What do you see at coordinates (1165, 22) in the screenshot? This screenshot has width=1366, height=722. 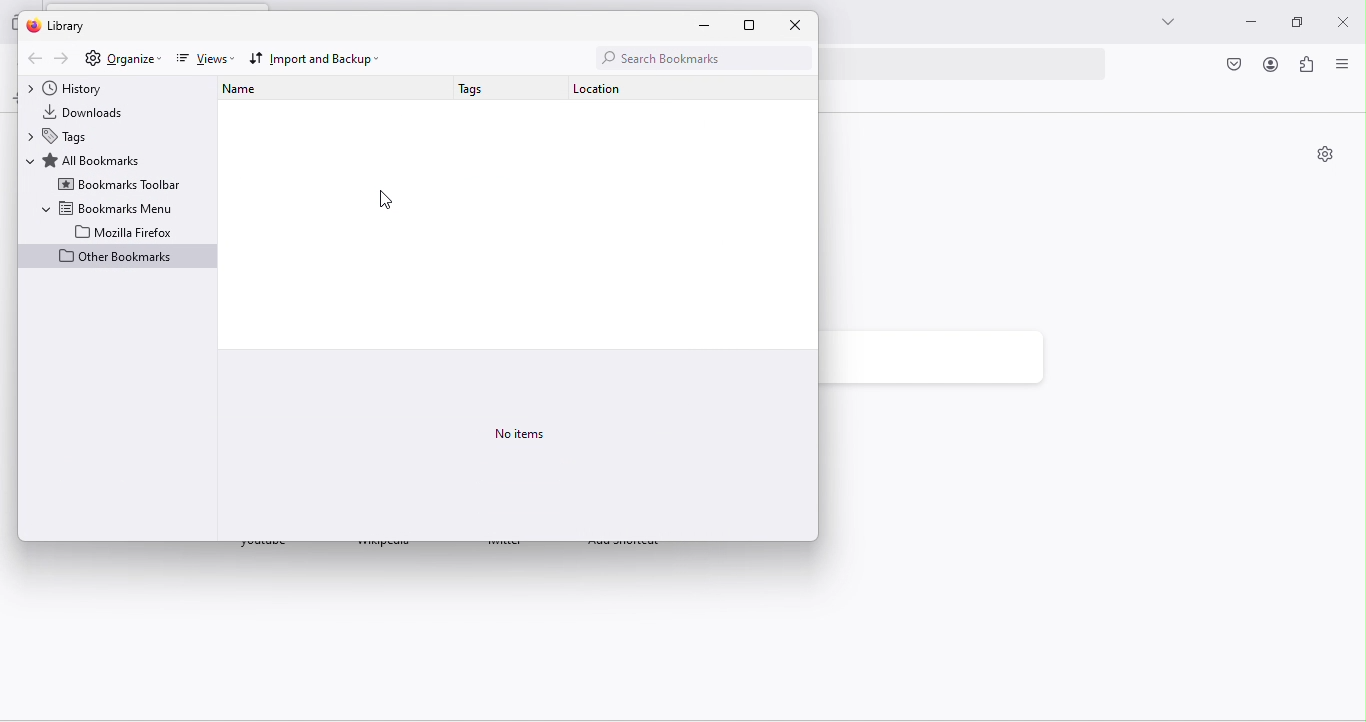 I see `more` at bounding box center [1165, 22].